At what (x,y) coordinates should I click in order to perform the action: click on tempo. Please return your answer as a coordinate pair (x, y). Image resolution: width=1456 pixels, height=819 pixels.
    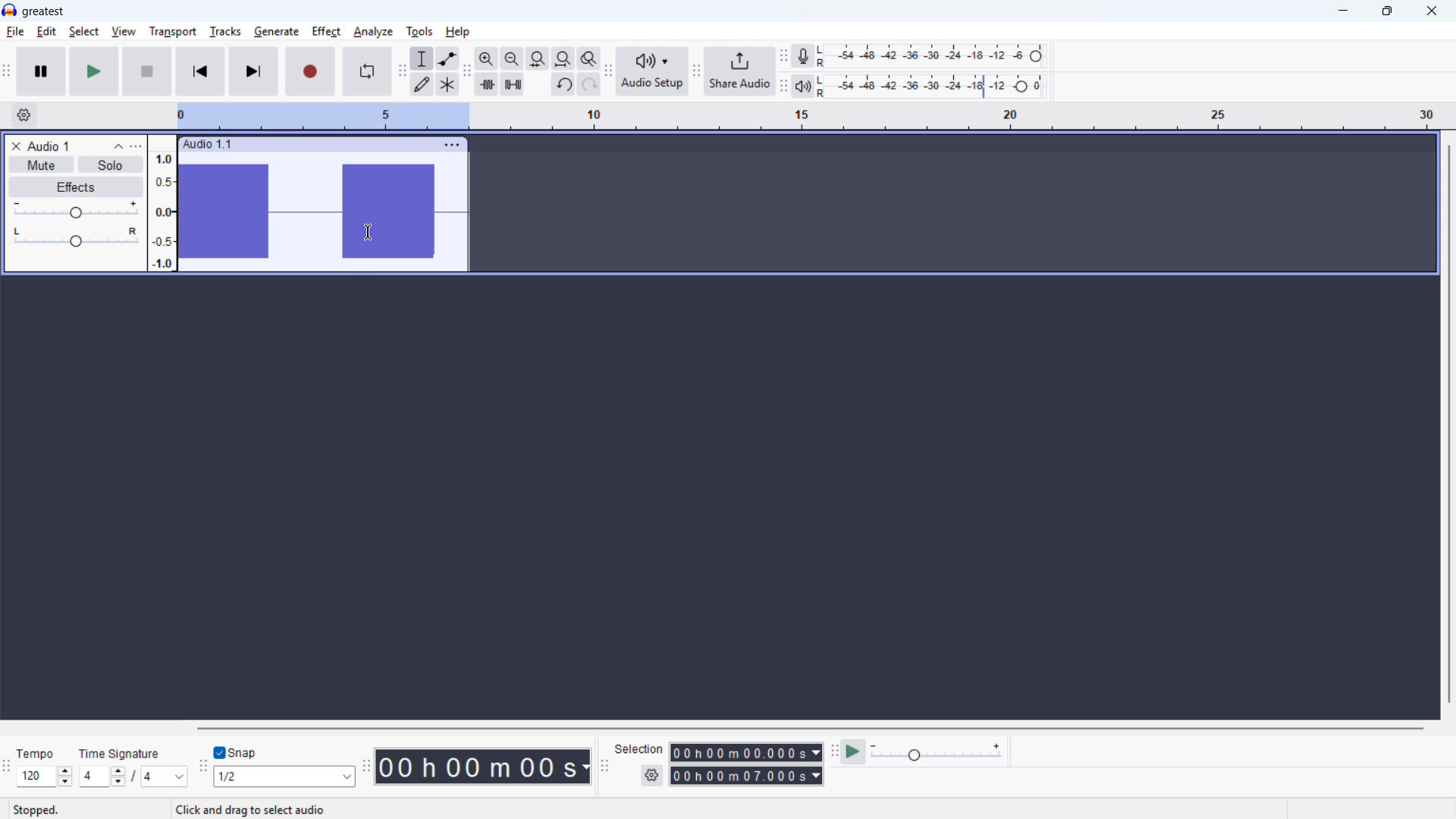
    Looking at the image, I should click on (36, 754).